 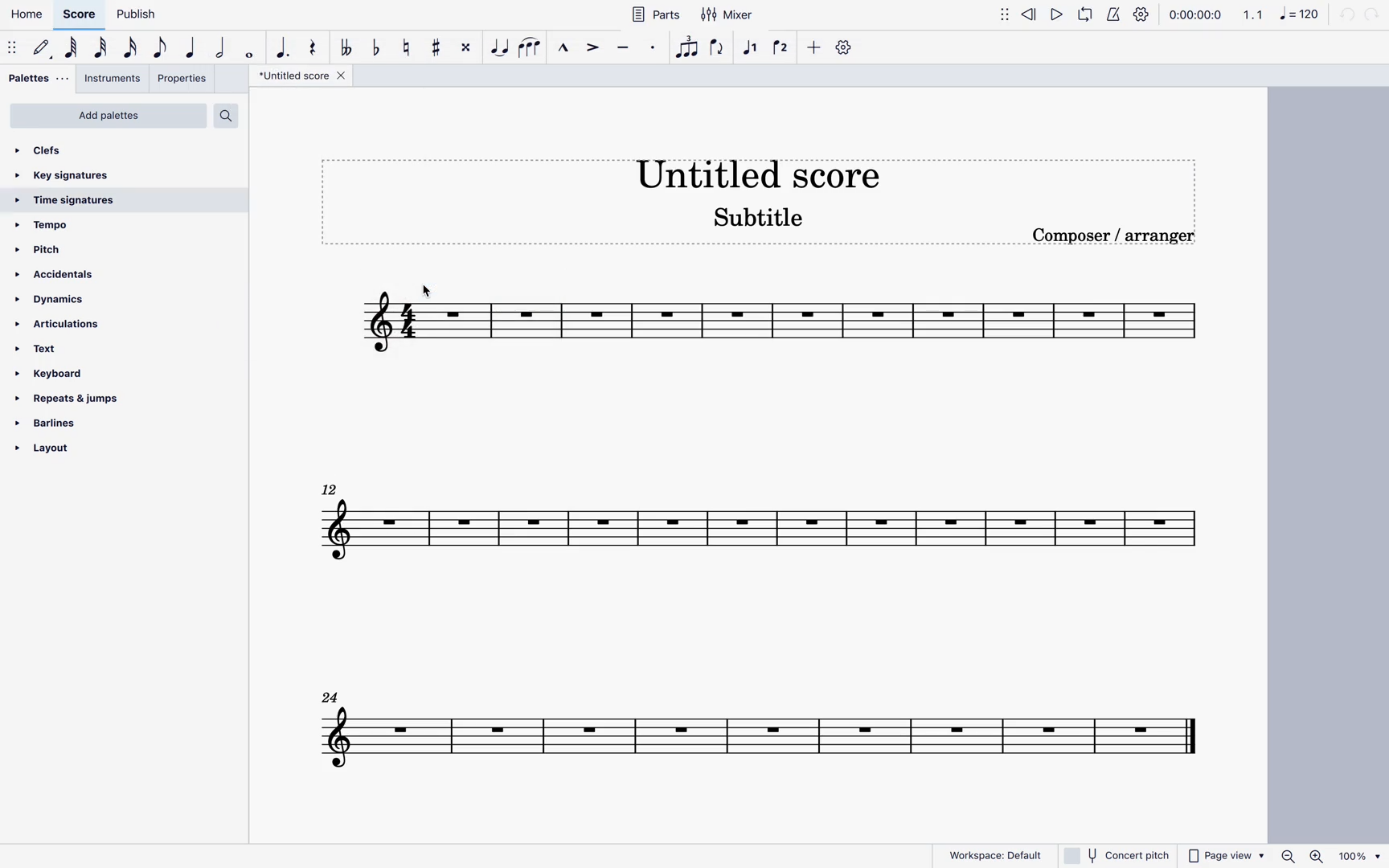 I want to click on text, so click(x=46, y=351).